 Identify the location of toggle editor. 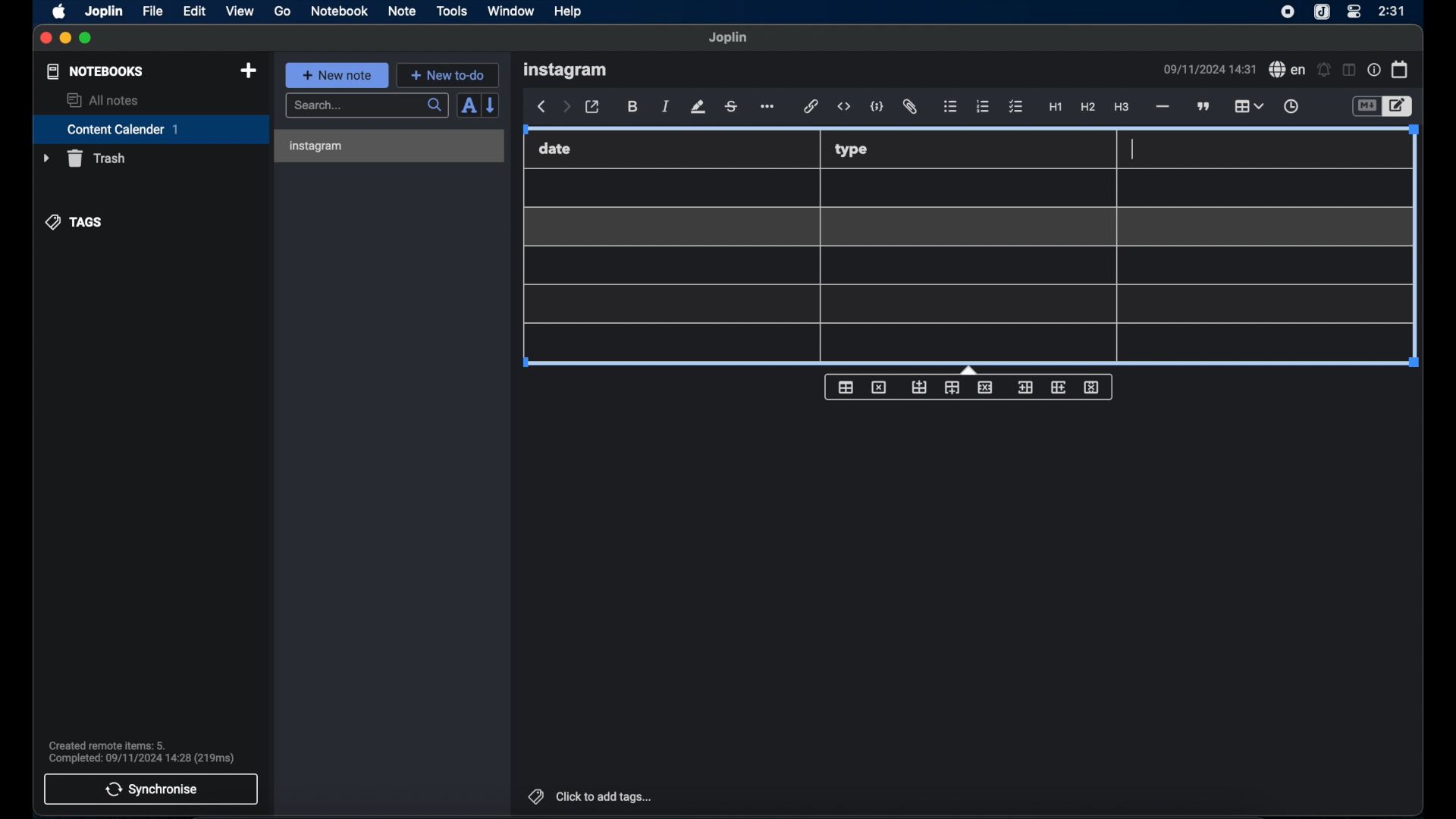
(1365, 105).